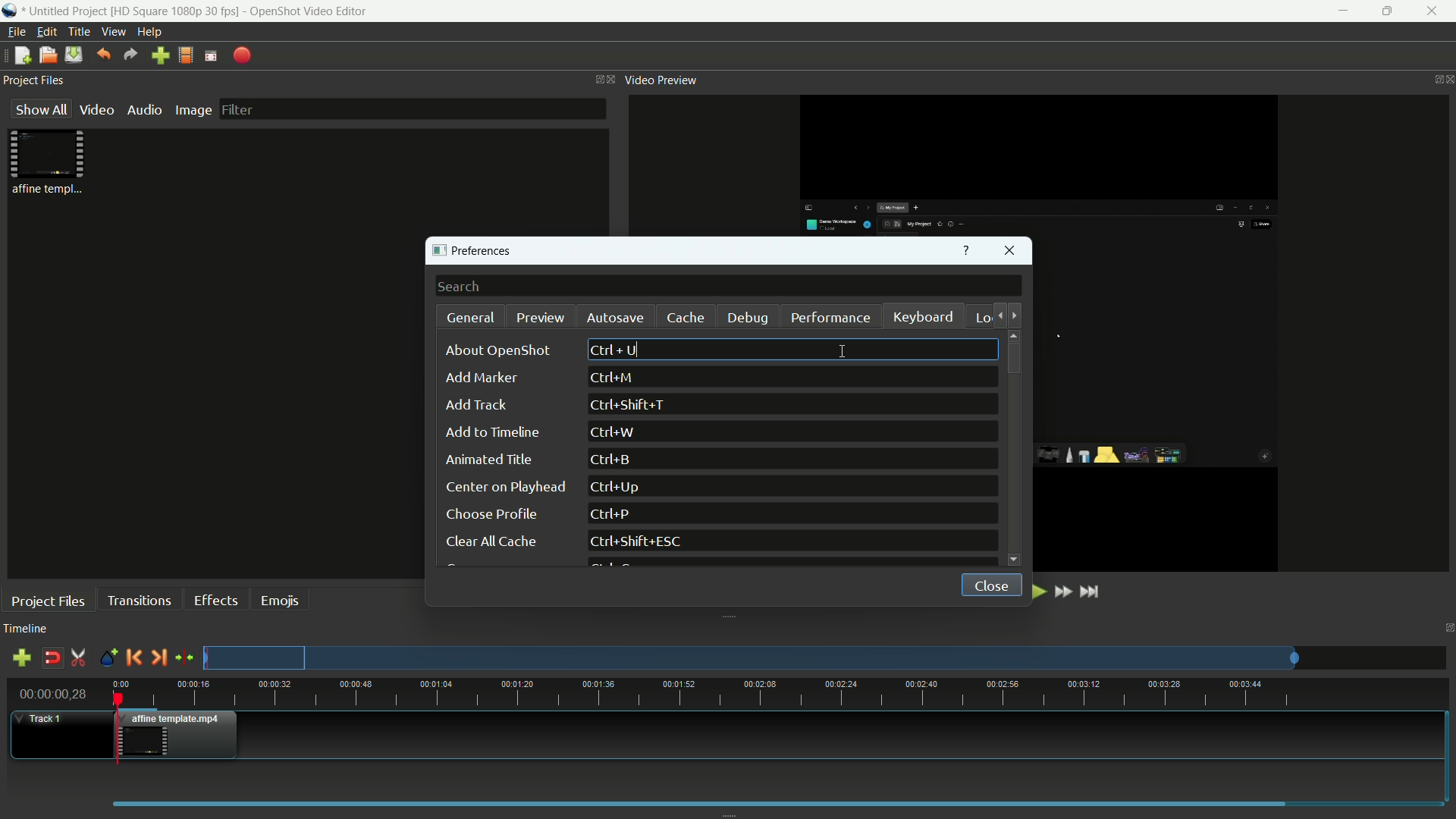  What do you see at coordinates (48, 55) in the screenshot?
I see `open file` at bounding box center [48, 55].